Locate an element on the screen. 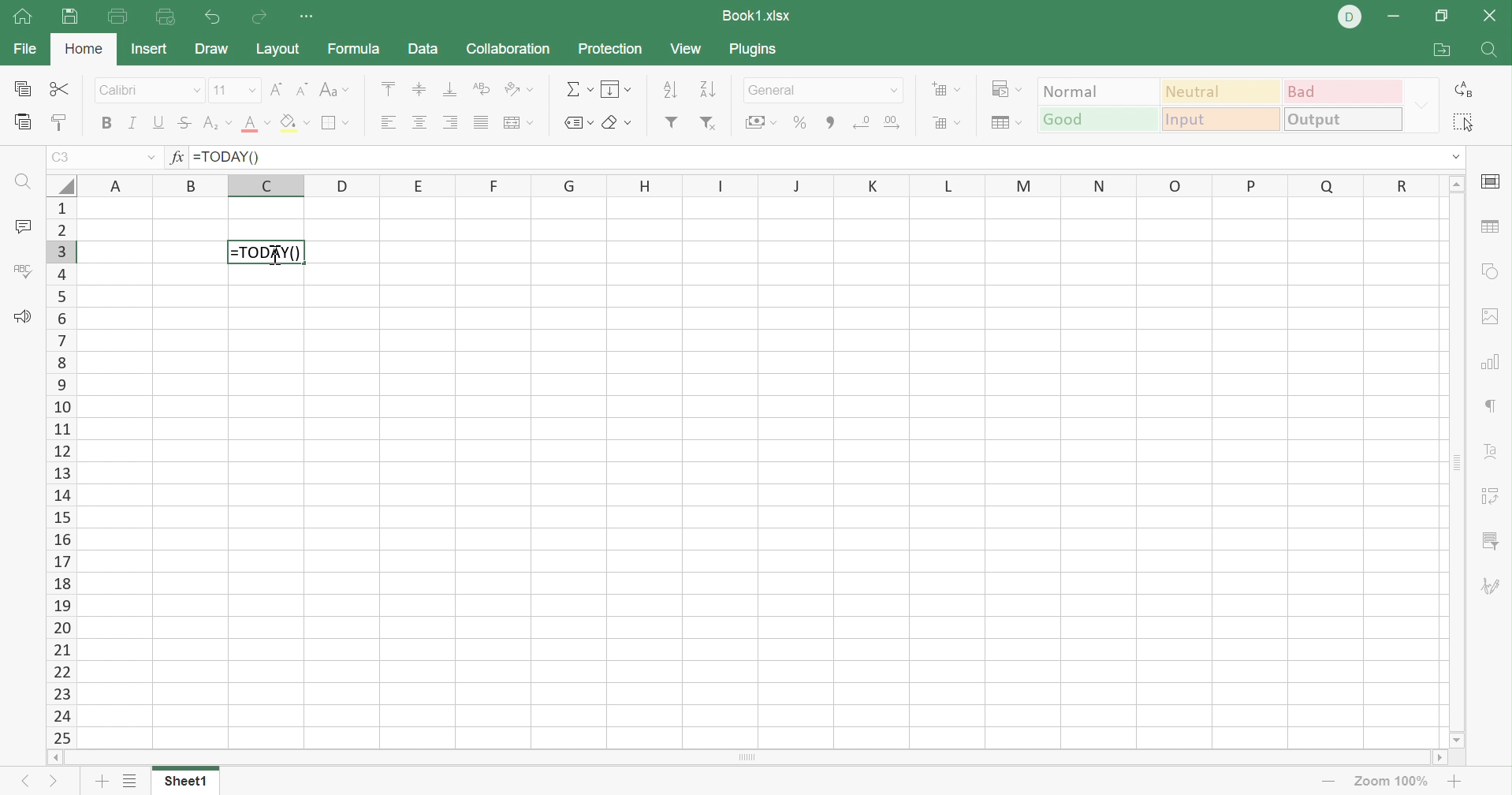 Image resolution: width=1512 pixels, height=795 pixels. Plugins is located at coordinates (754, 50).